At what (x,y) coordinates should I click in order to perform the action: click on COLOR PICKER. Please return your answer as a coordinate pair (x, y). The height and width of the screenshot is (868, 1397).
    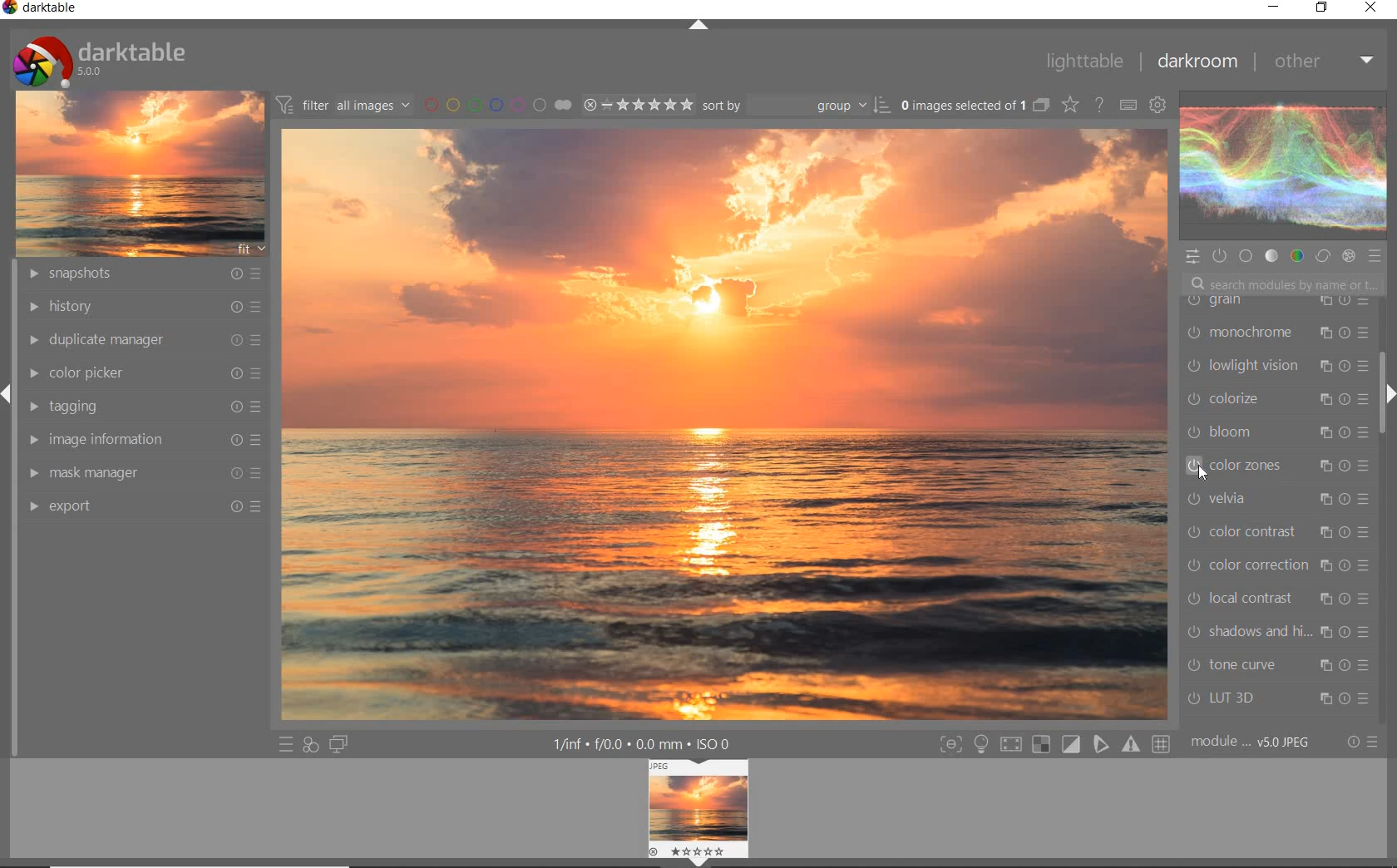
    Looking at the image, I should click on (148, 372).